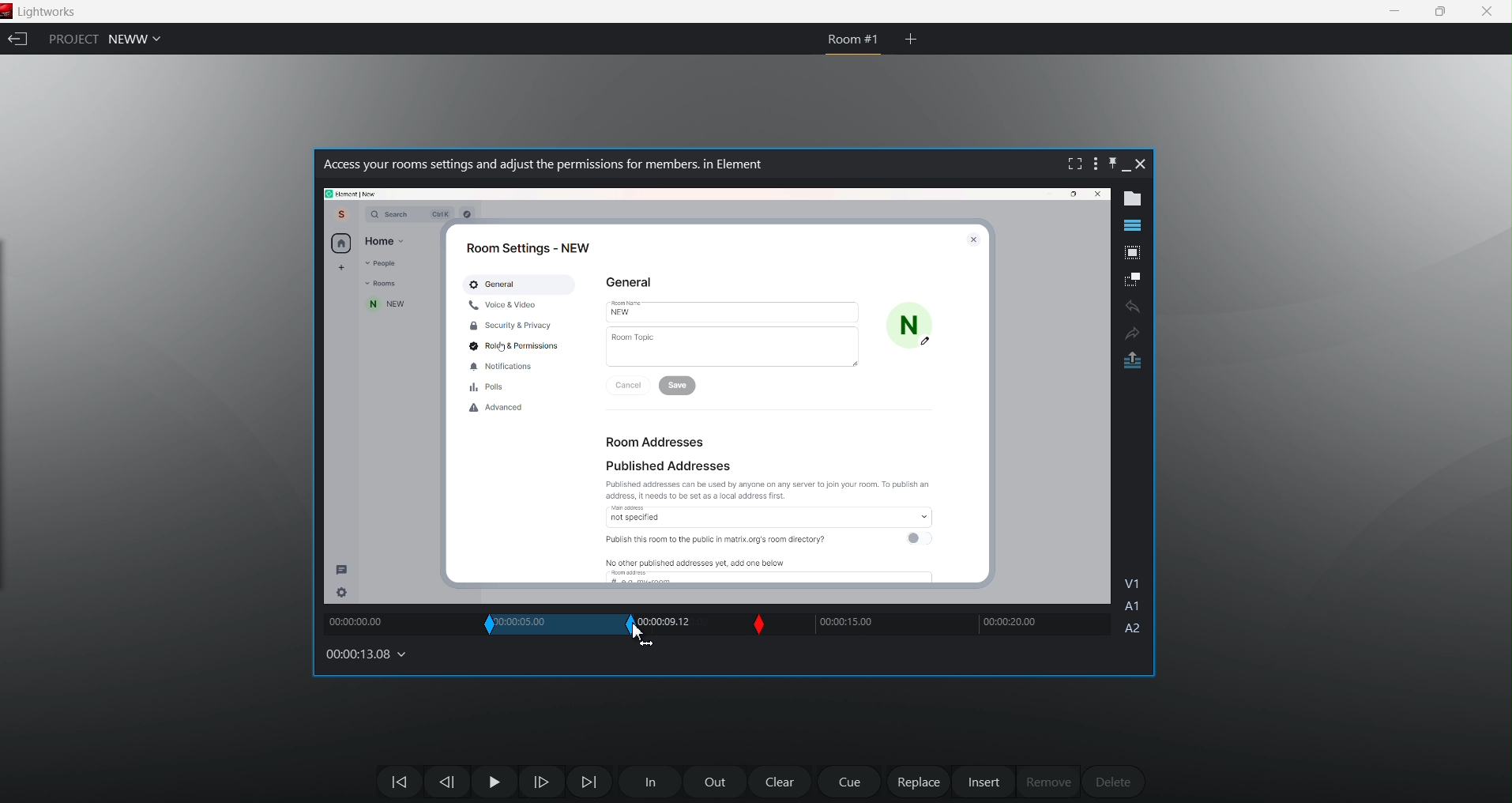  Describe the element at coordinates (545, 165) in the screenshot. I see `Video name` at that location.